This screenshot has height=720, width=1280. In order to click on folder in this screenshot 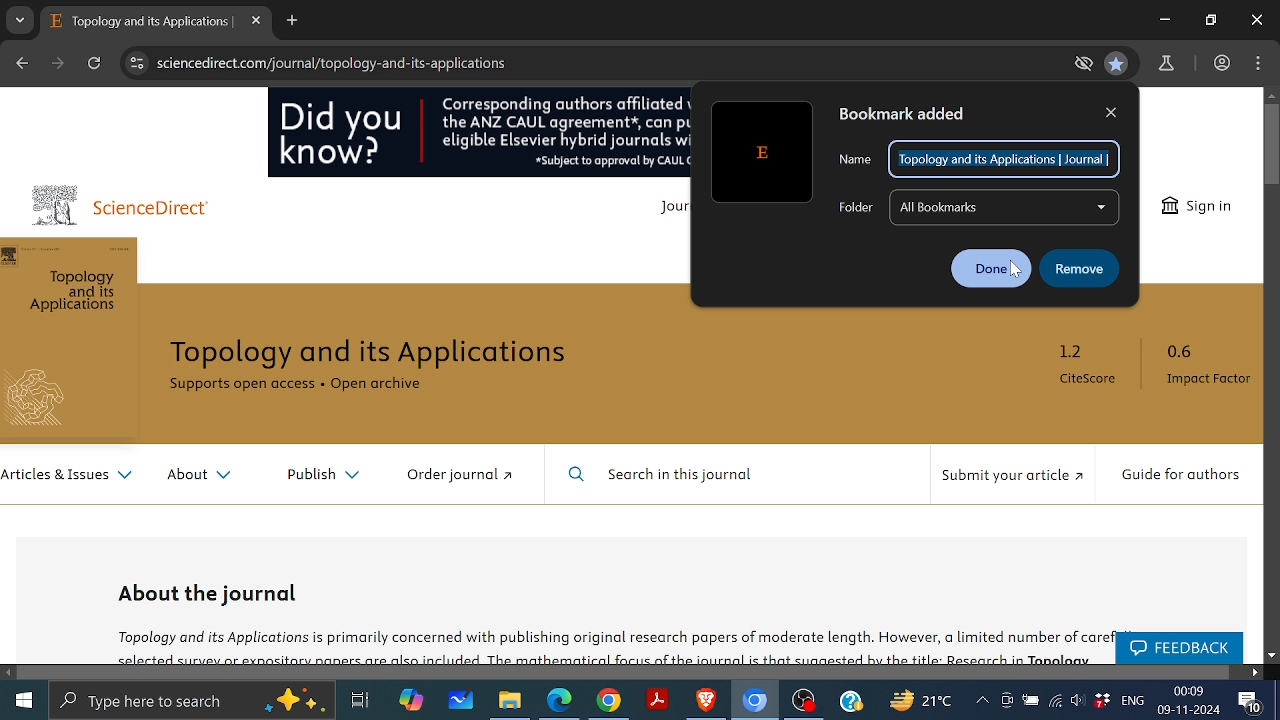, I will do `click(849, 207)`.